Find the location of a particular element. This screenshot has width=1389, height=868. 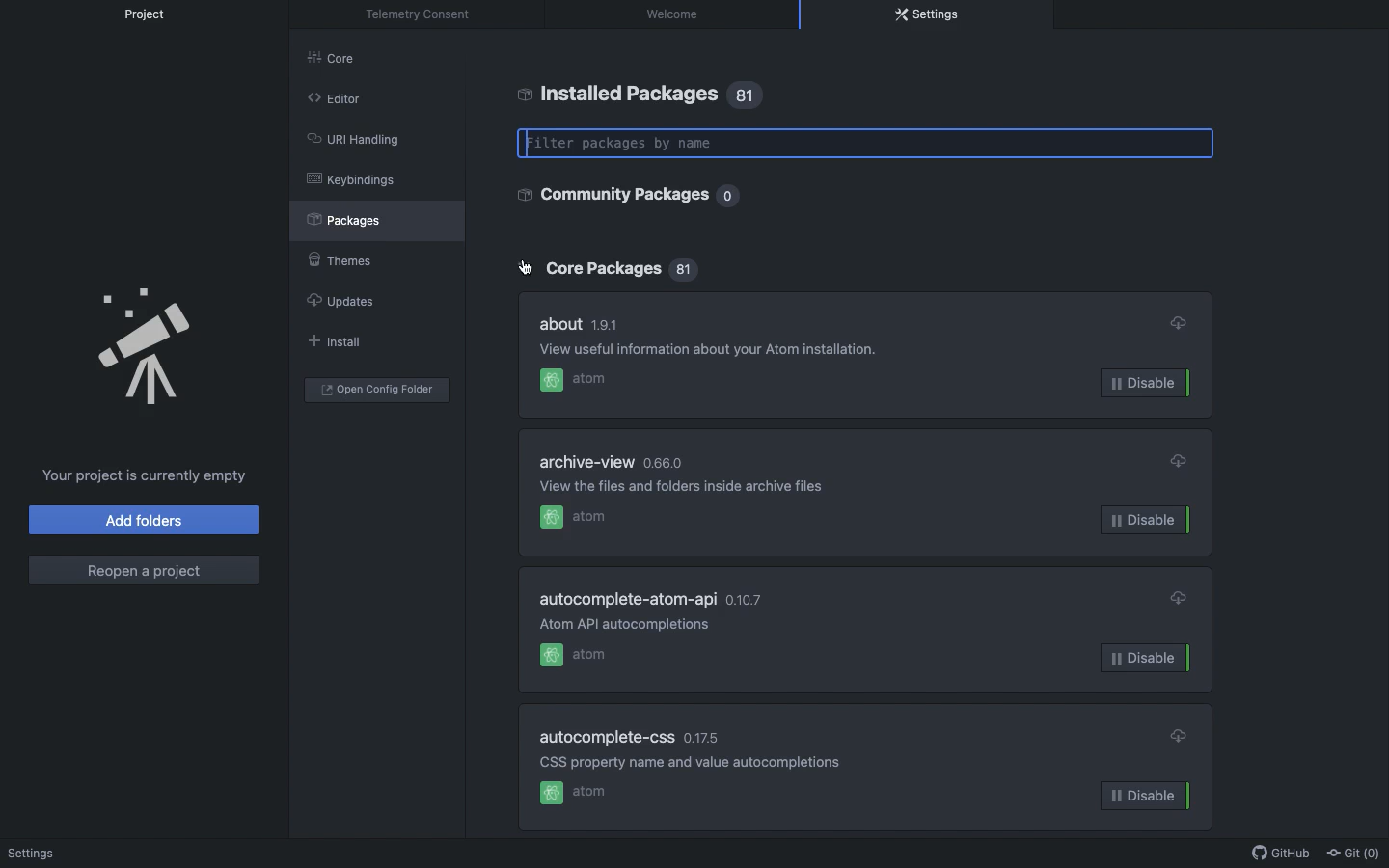

Toggle is located at coordinates (527, 269).